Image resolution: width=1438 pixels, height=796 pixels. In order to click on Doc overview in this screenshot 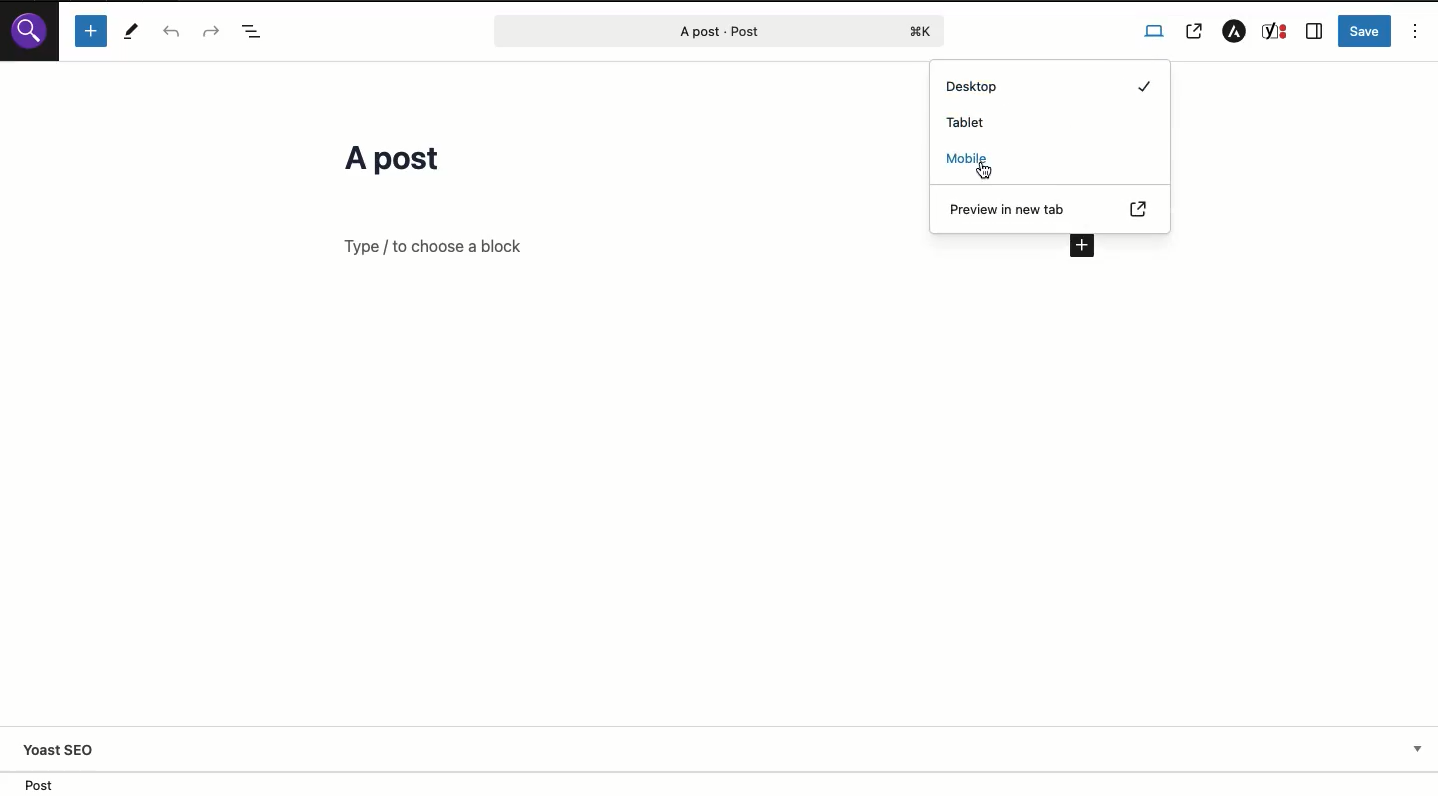, I will do `click(256, 32)`.